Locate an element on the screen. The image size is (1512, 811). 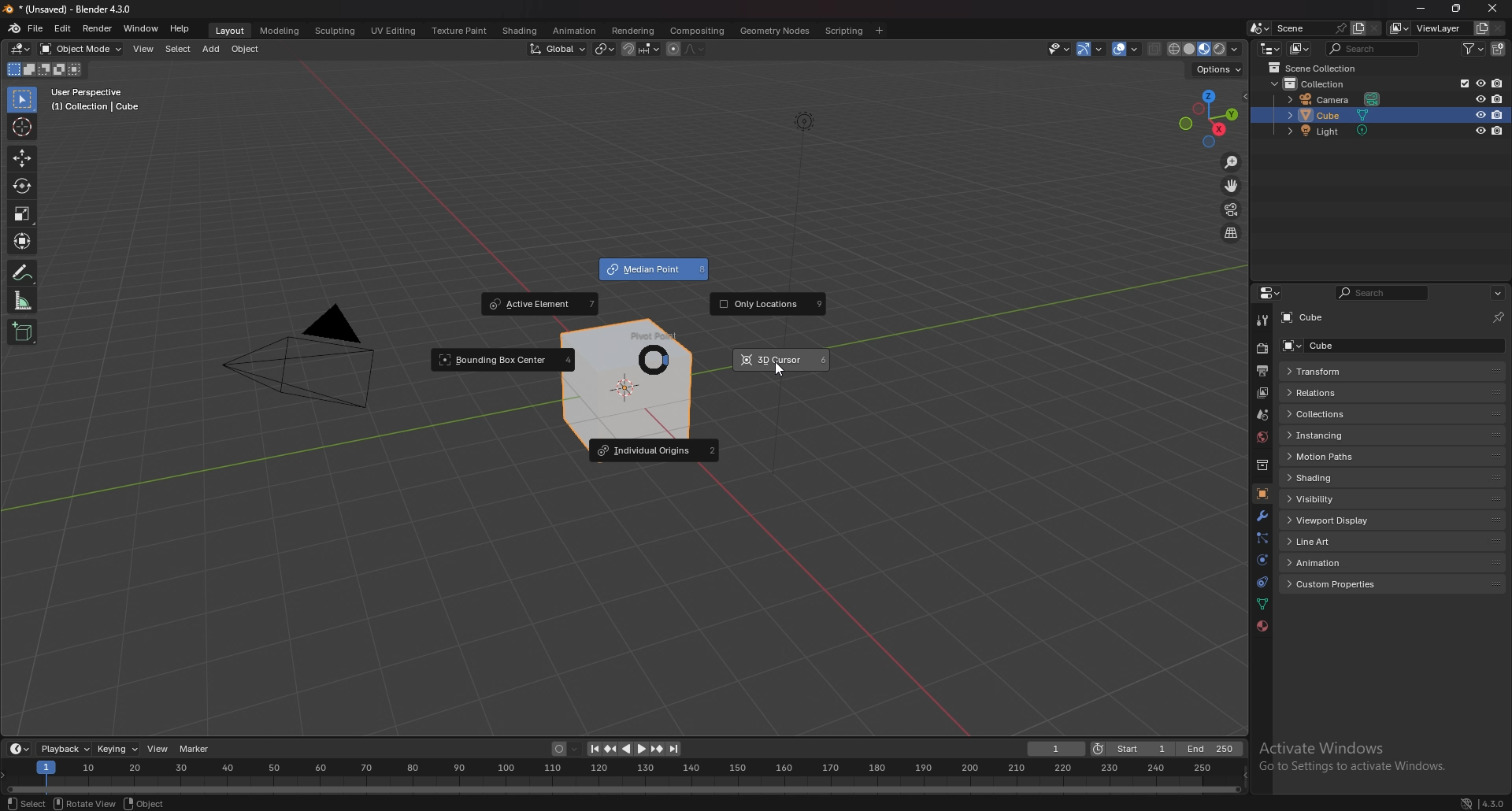
shading is located at coordinates (521, 31).